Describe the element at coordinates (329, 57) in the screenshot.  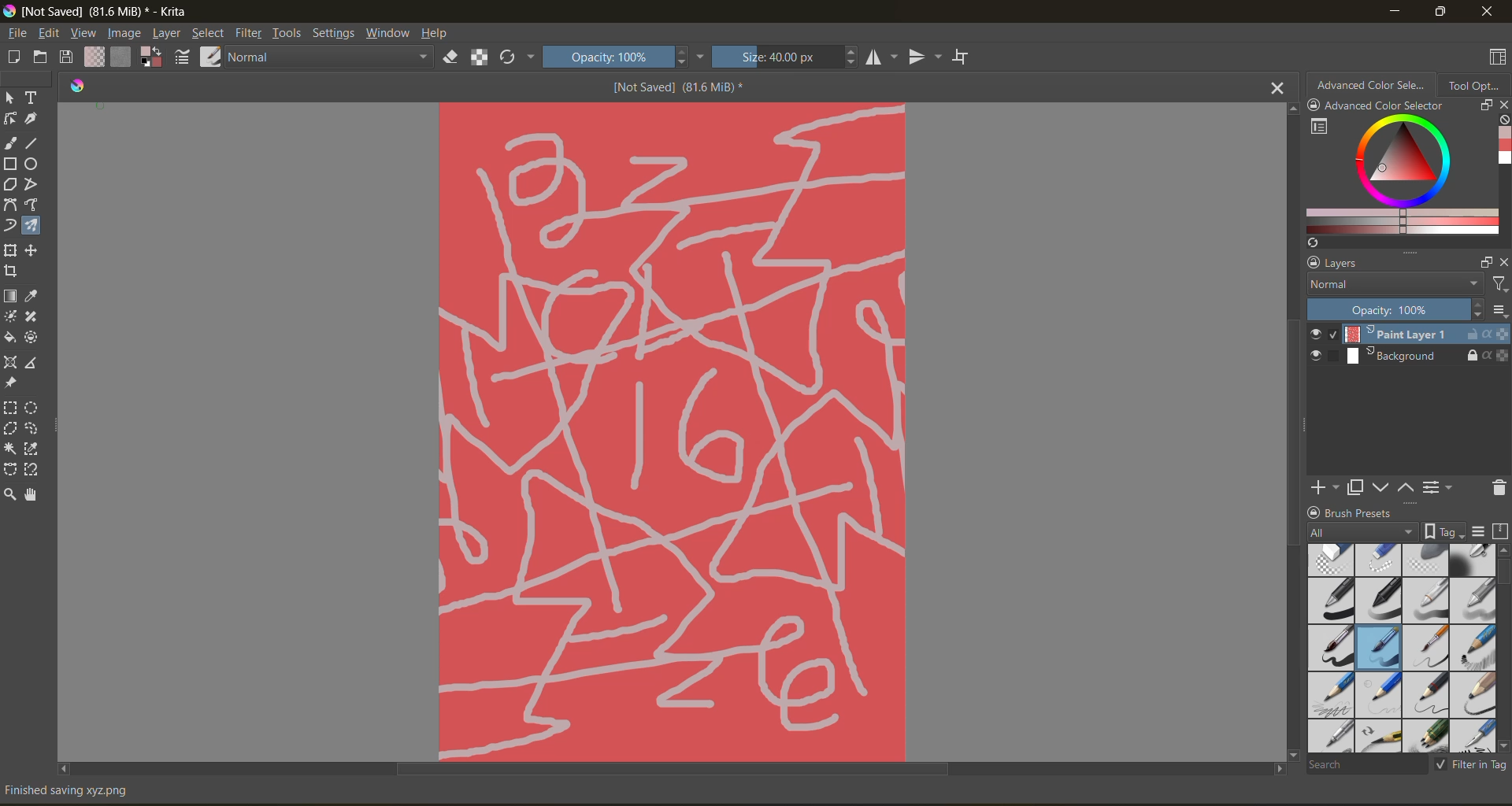
I see `normal` at that location.